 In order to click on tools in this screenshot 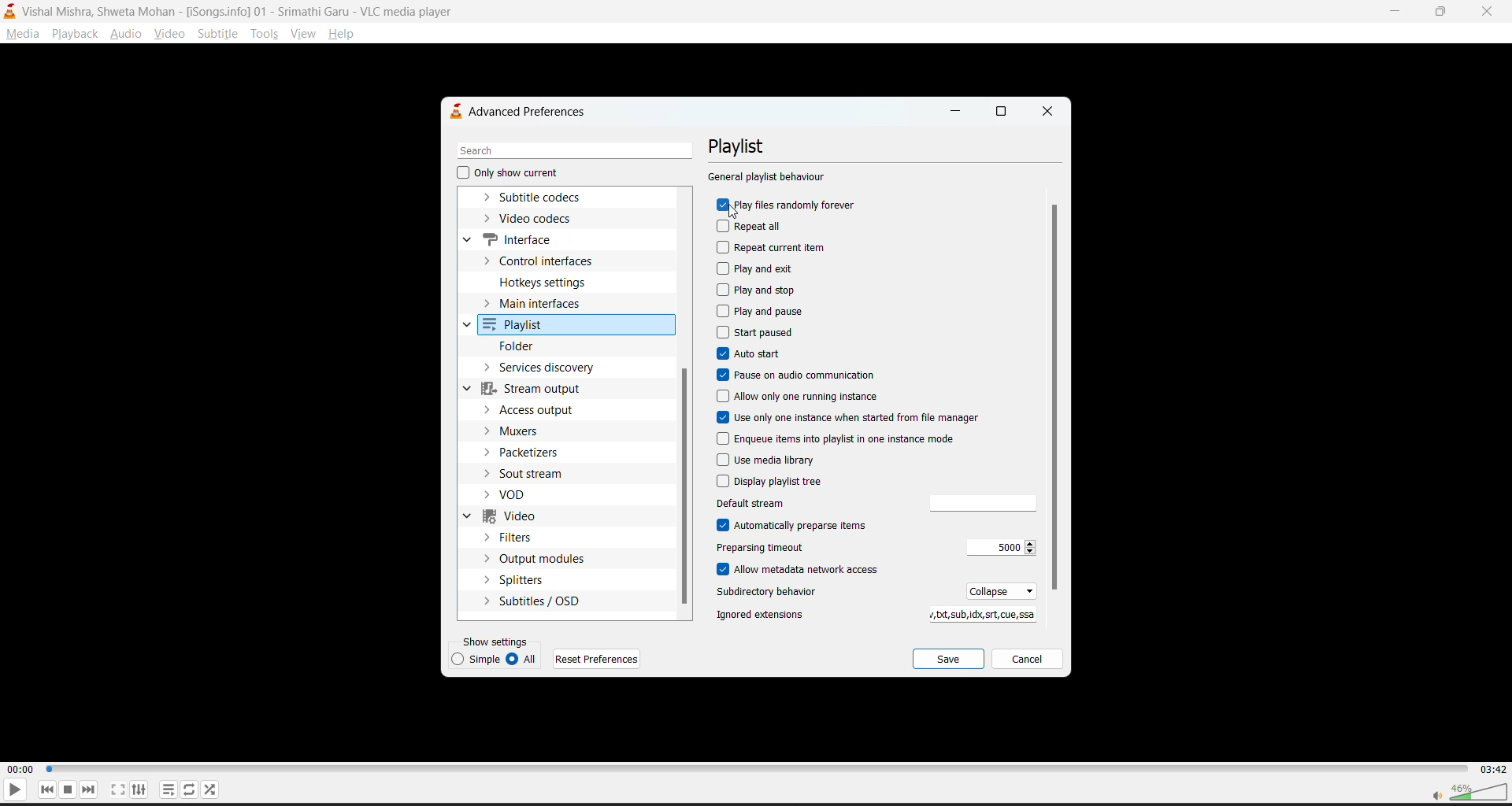, I will do `click(261, 35)`.